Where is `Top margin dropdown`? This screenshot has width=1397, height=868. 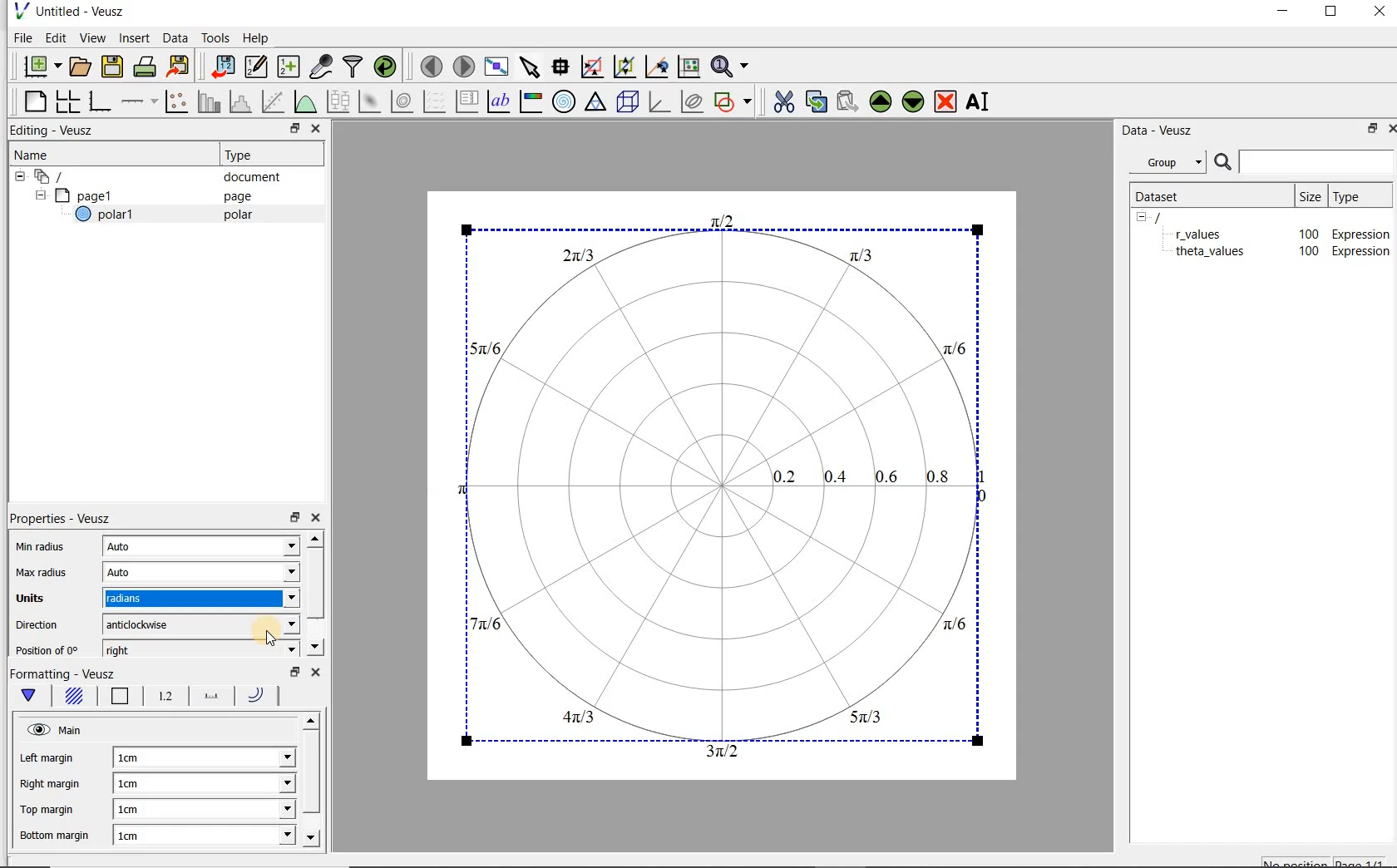
Top margin dropdown is located at coordinates (269, 810).